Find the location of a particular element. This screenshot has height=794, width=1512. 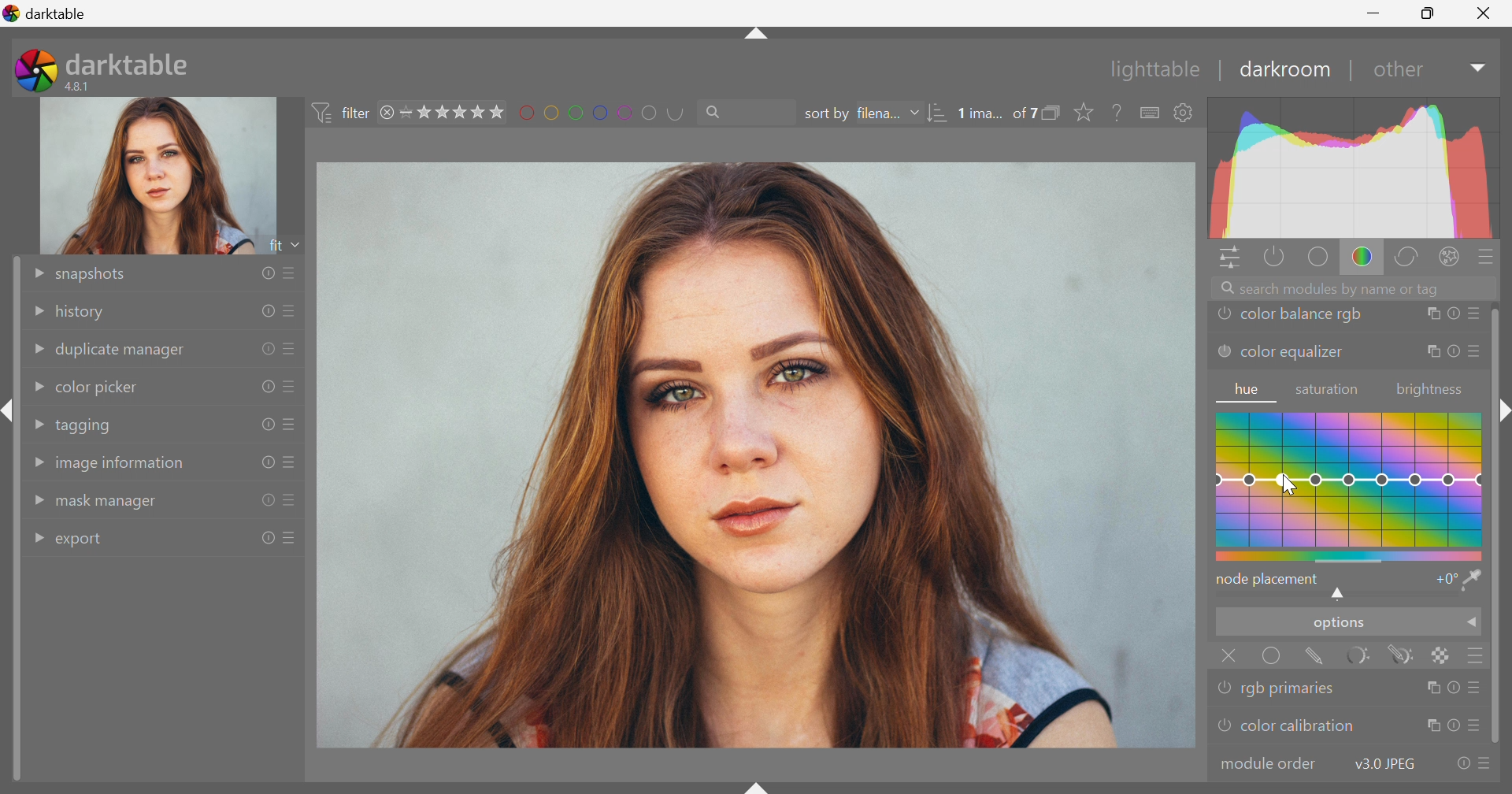

multiple instance actions is located at coordinates (1431, 726).